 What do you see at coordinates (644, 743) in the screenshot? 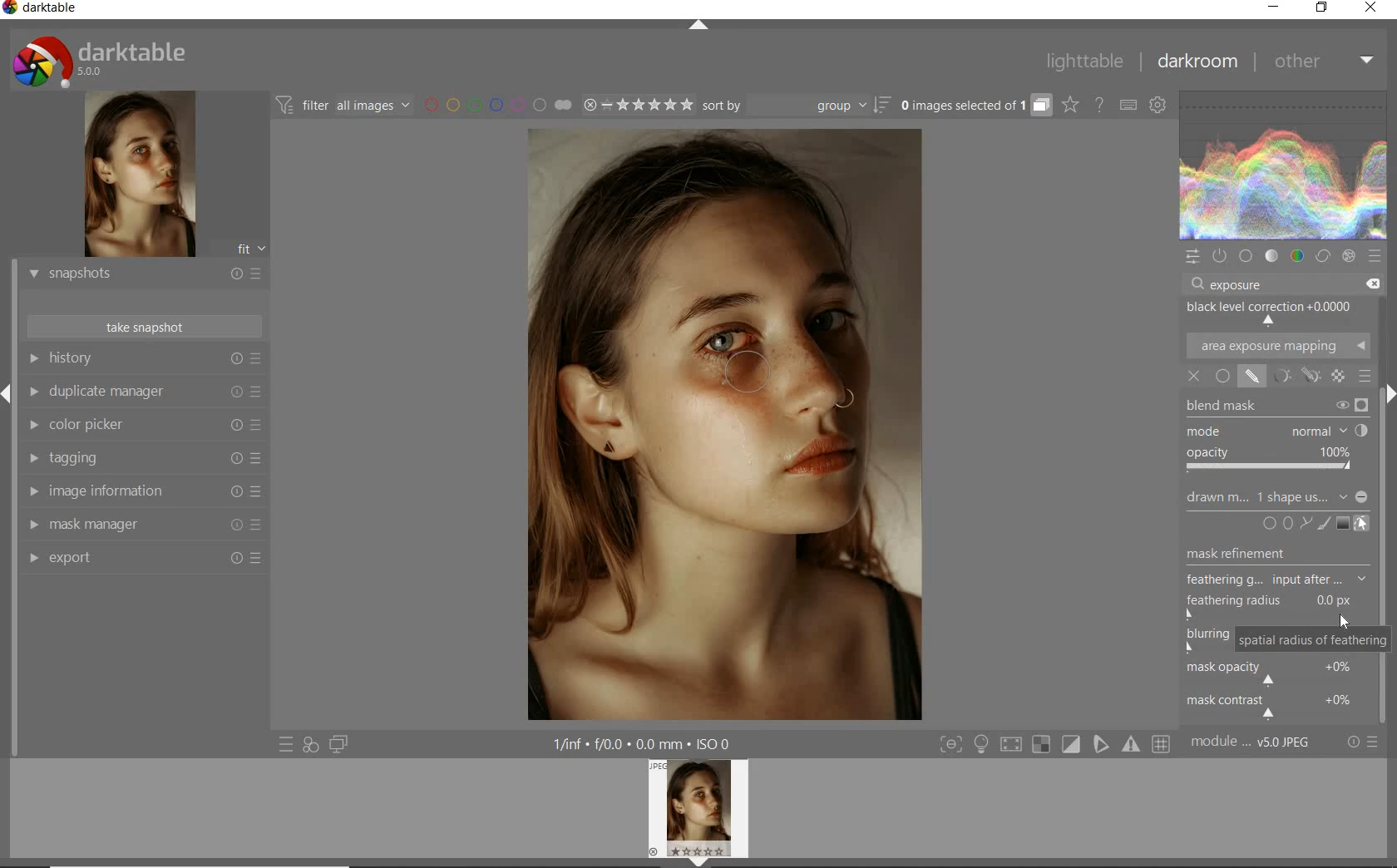
I see `other display information` at bounding box center [644, 743].